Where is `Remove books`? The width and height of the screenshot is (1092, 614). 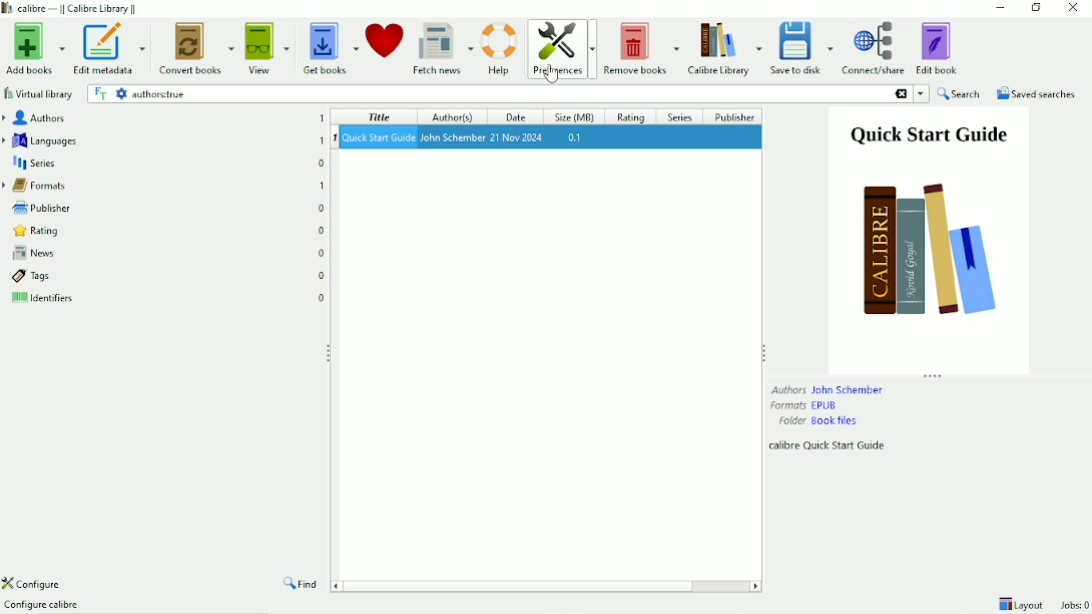
Remove books is located at coordinates (642, 48).